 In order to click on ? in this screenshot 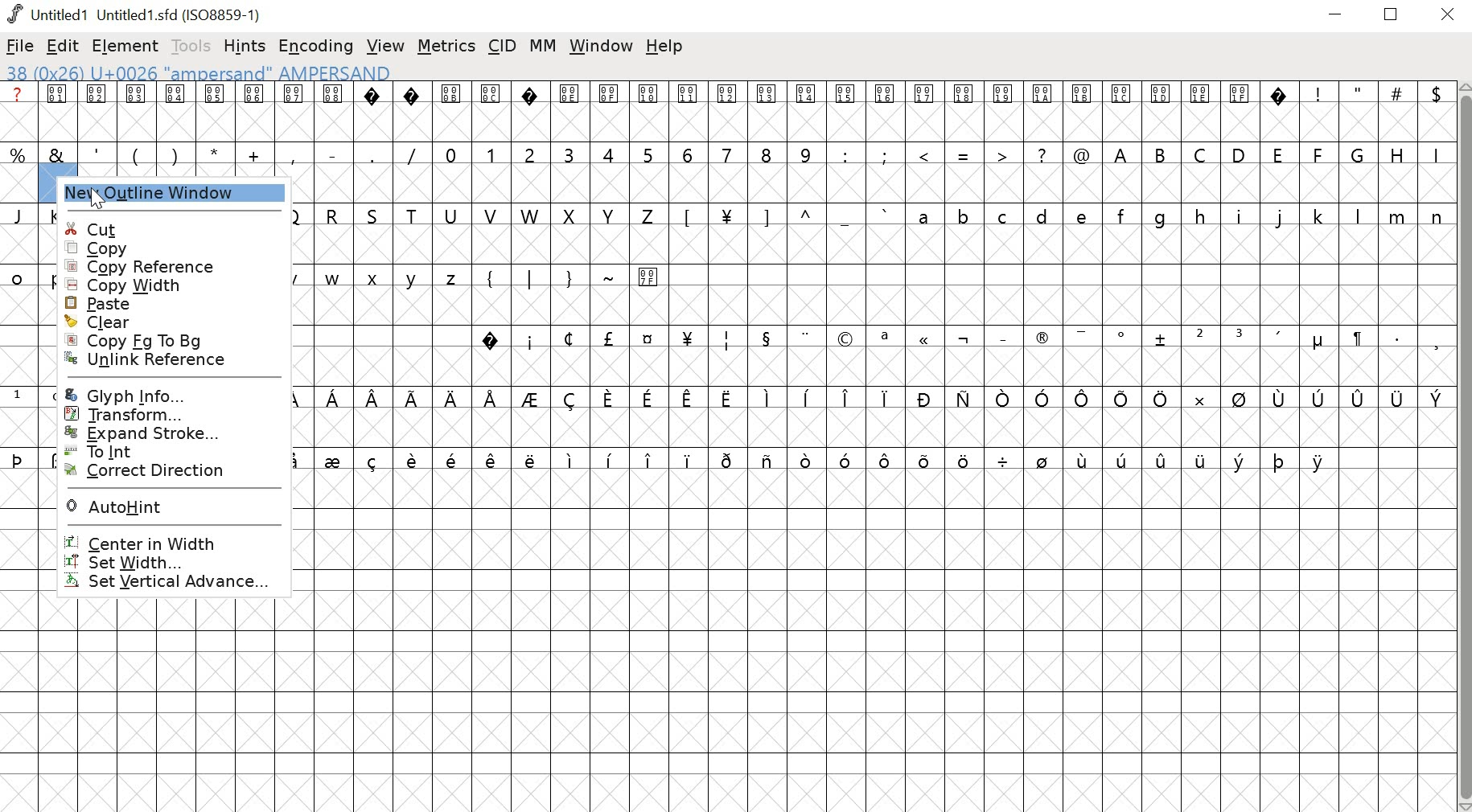, I will do `click(374, 112)`.